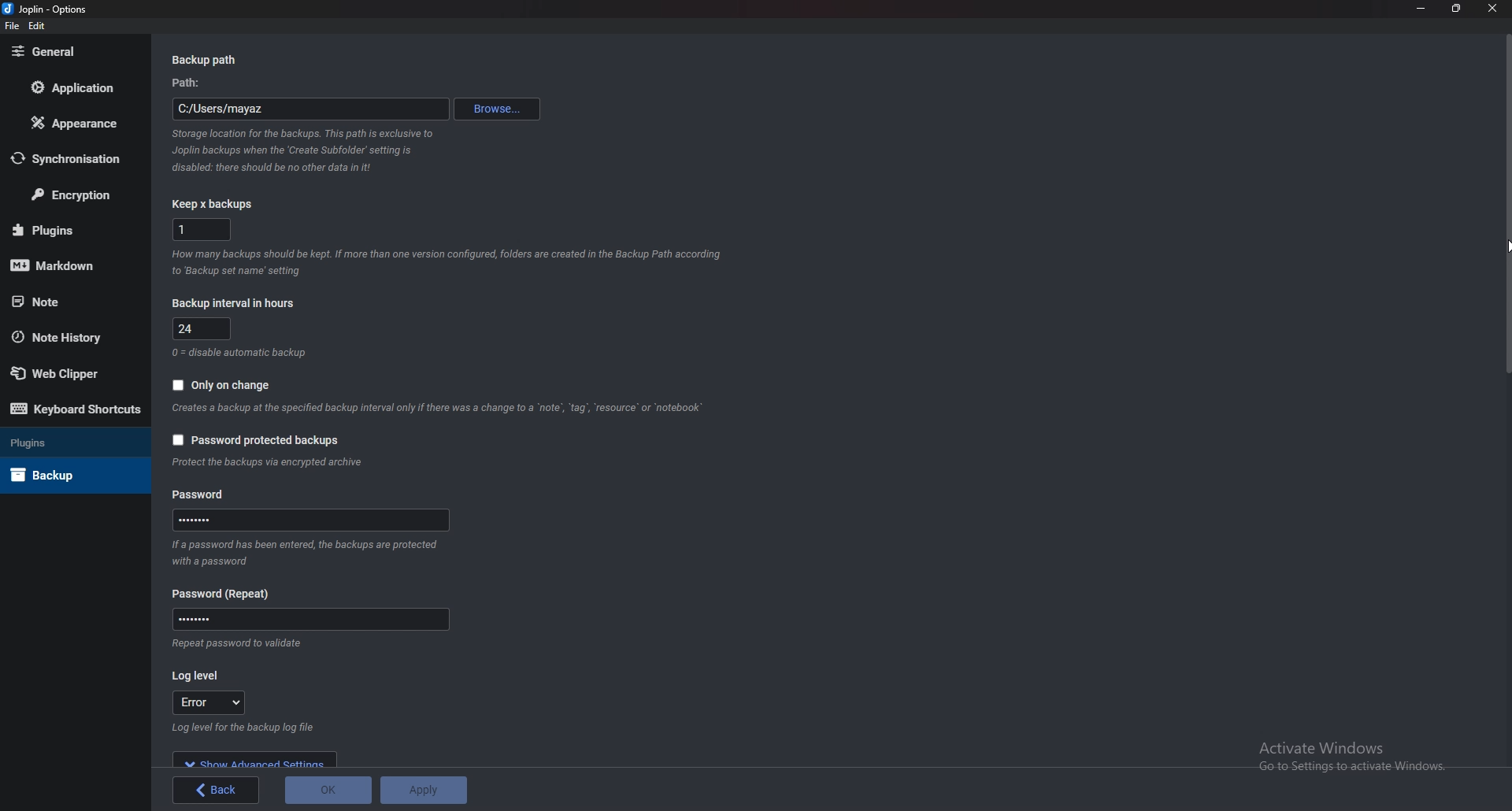  Describe the element at coordinates (46, 9) in the screenshot. I see `Joplin` at that location.